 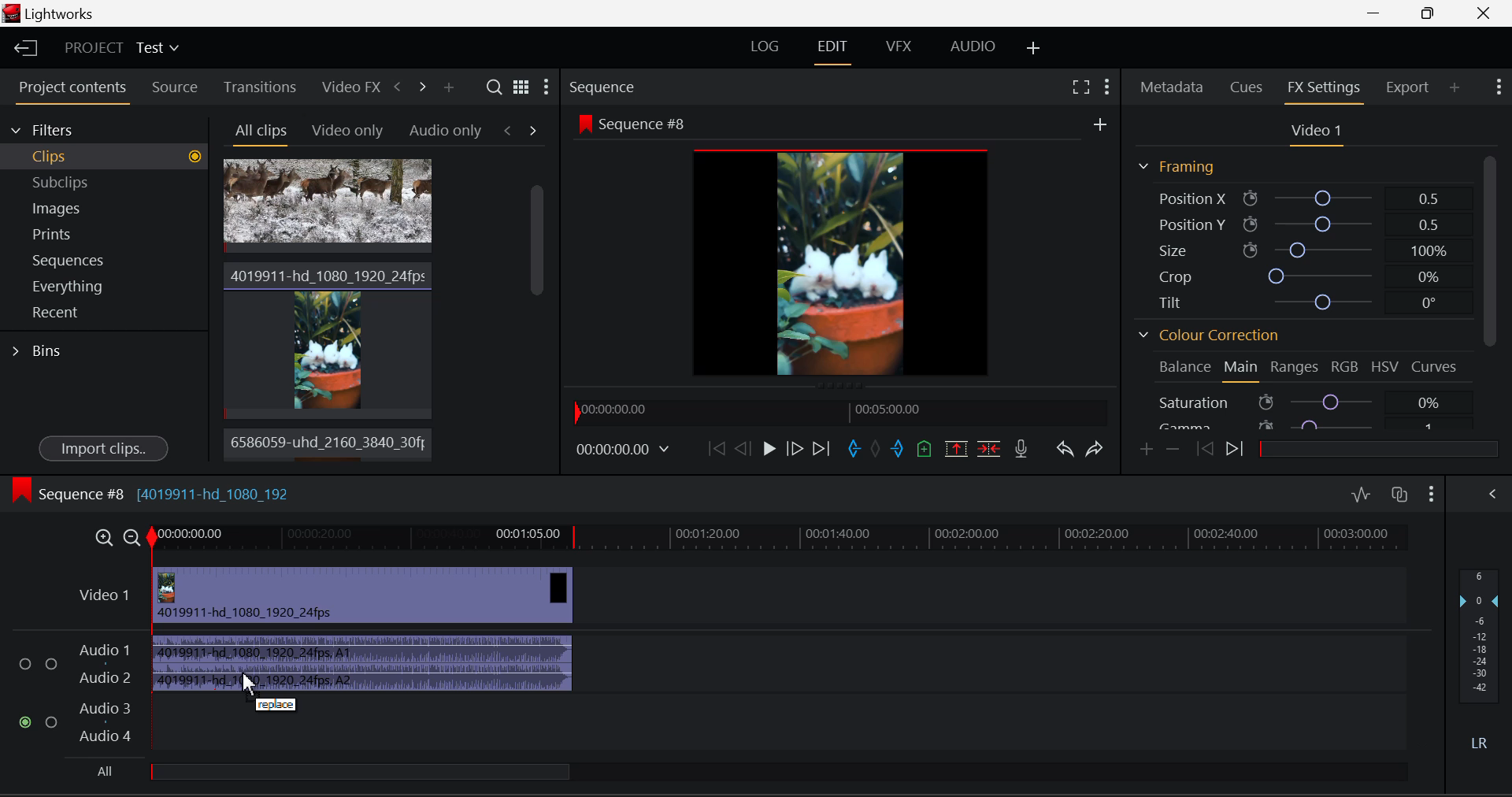 I want to click on Audio & Video Aligned after DRAG_TO, so click(x=367, y=629).